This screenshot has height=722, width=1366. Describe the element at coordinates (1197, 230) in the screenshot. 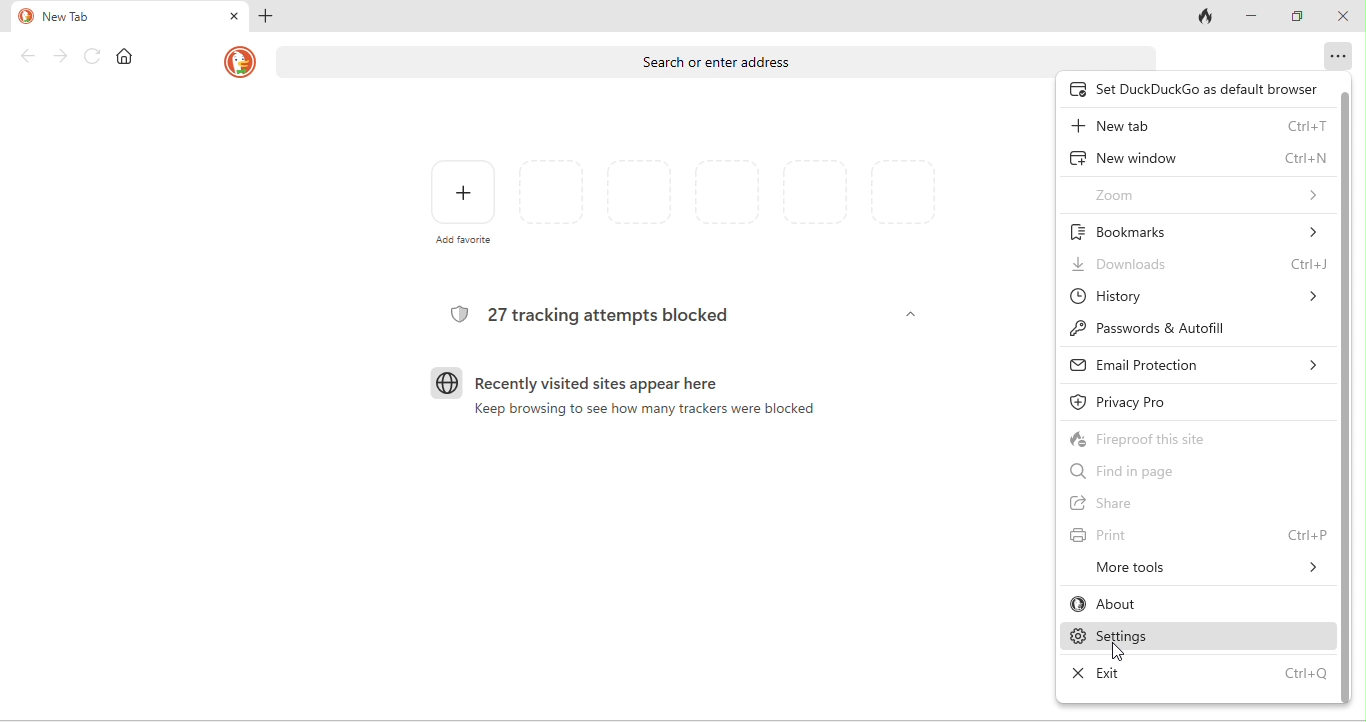

I see `bookmarks` at that location.